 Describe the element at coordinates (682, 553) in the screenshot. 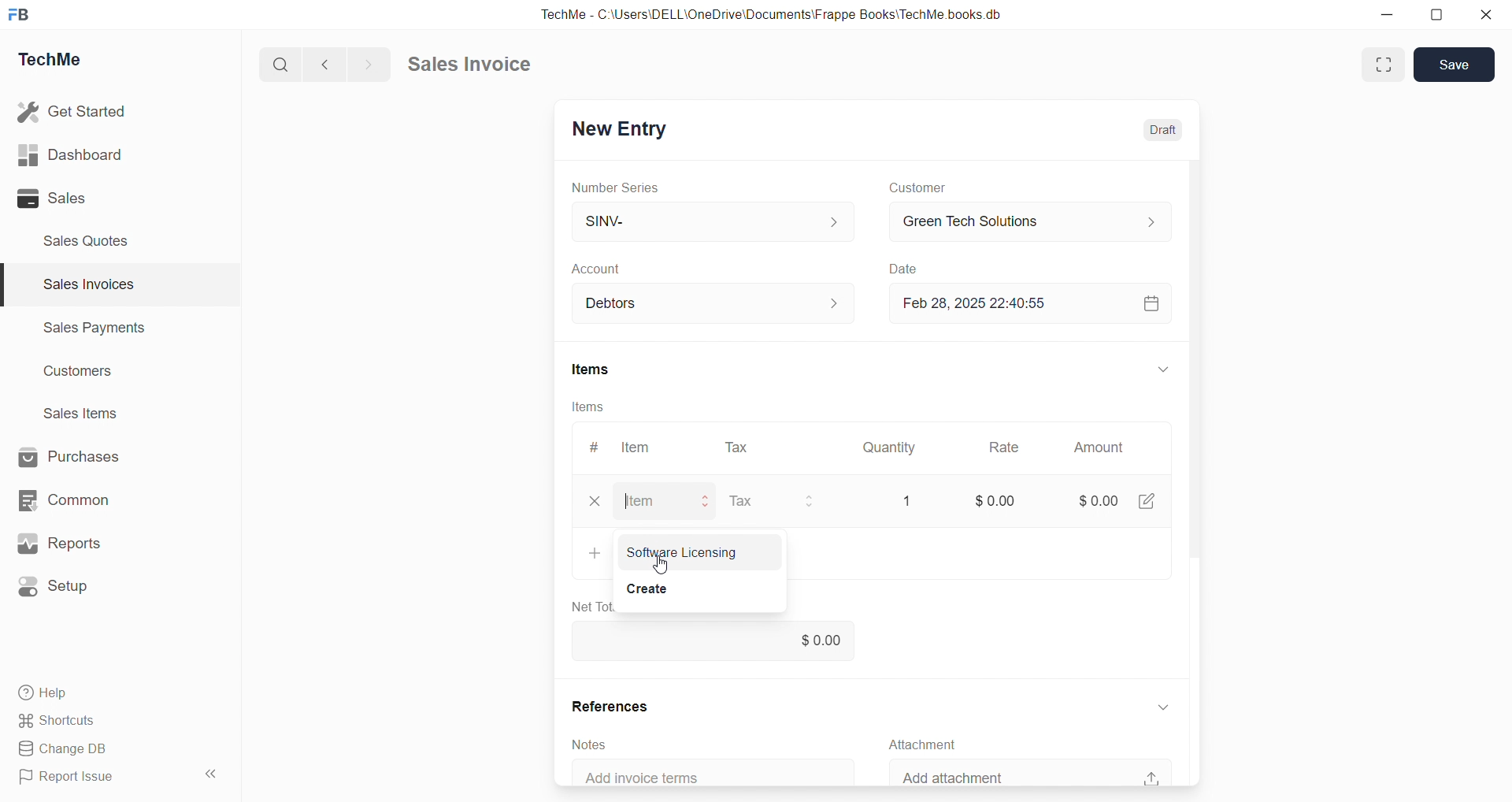

I see `Software Licensing` at that location.